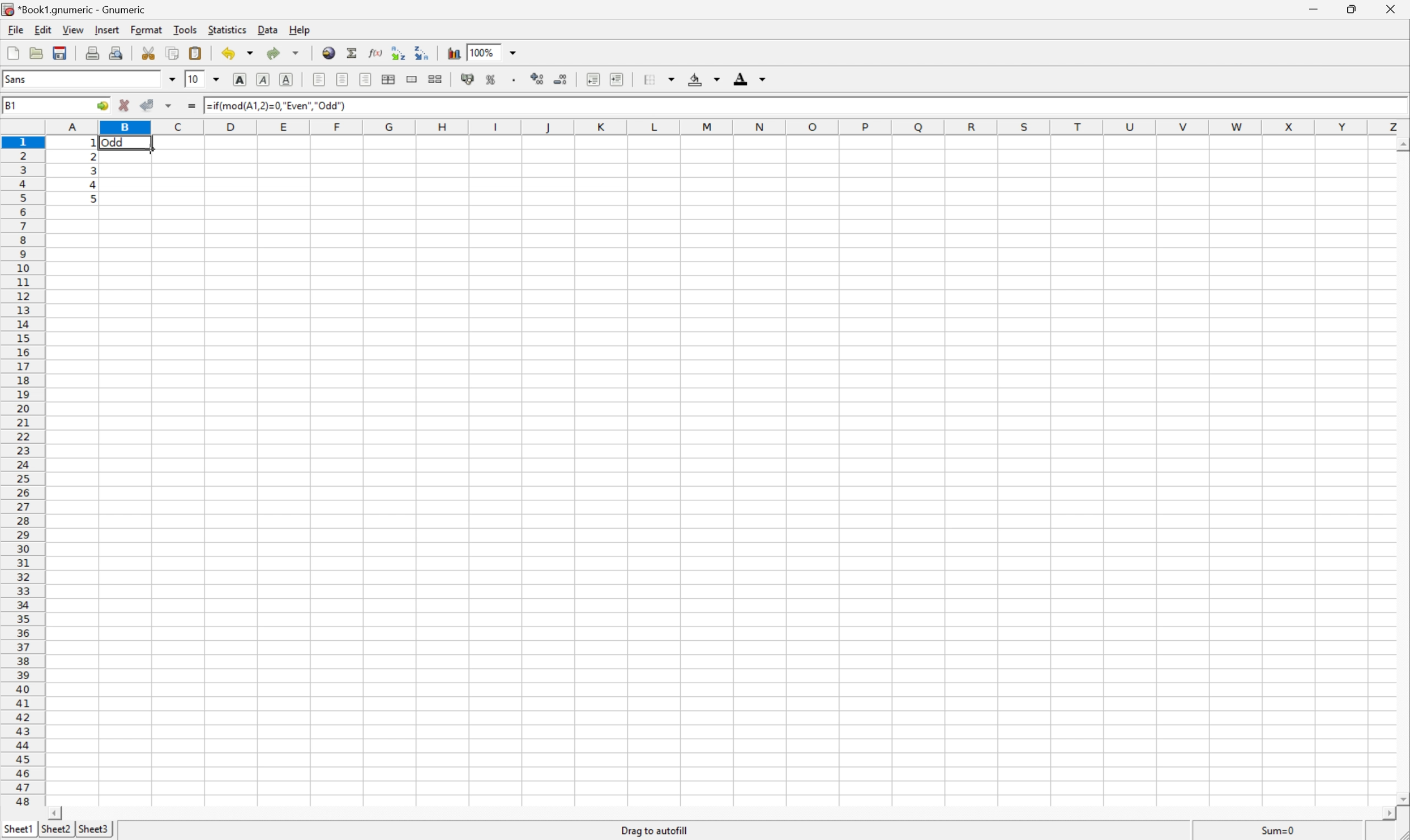 The height and width of the screenshot is (840, 1410). What do you see at coordinates (329, 53) in the screenshot?
I see `Insert a hyperlink` at bounding box center [329, 53].